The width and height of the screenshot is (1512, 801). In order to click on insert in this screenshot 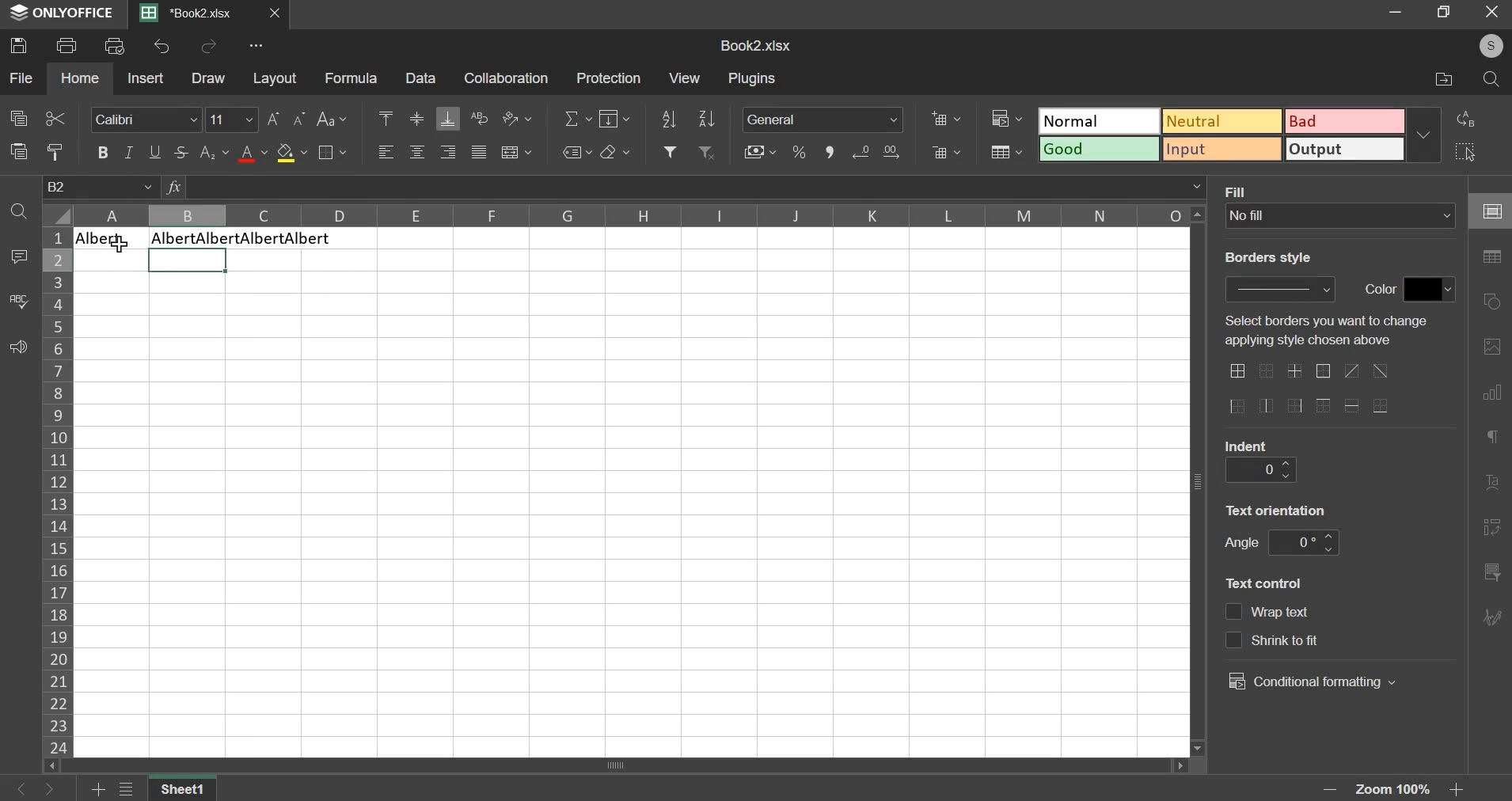, I will do `click(145, 78)`.